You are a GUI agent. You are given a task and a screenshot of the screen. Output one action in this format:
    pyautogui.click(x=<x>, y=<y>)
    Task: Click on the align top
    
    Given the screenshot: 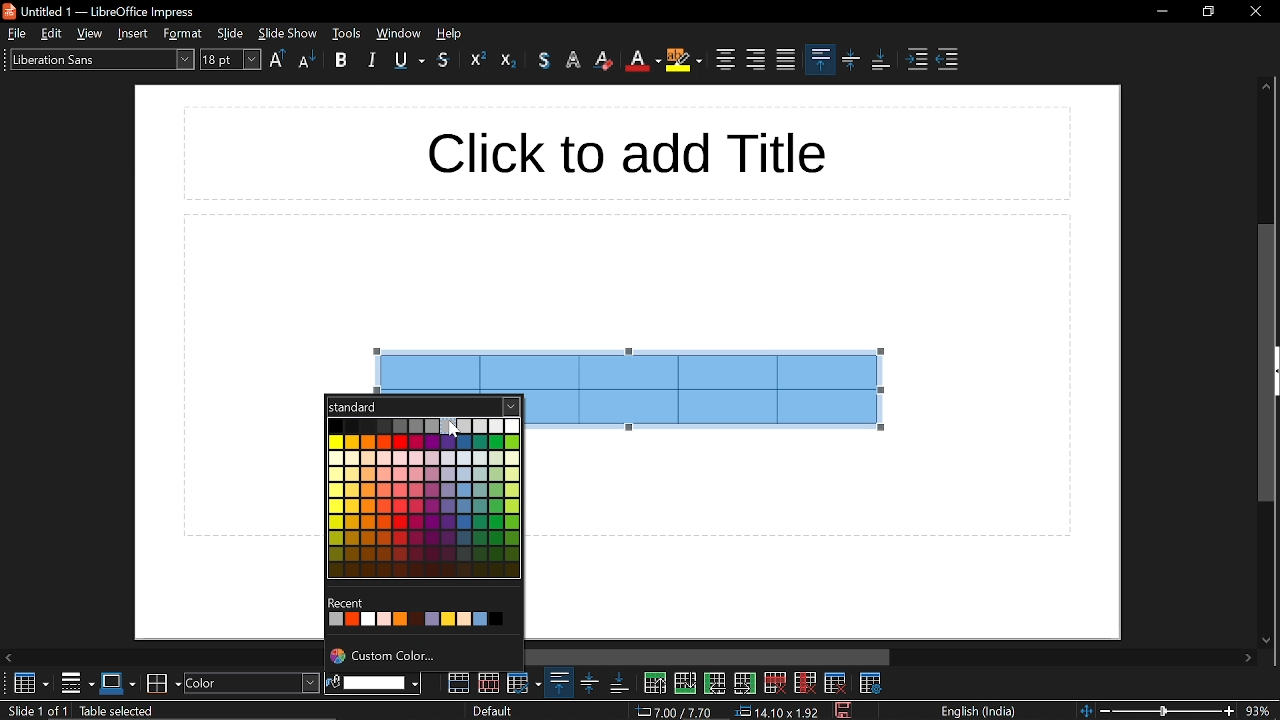 What is the action you would take?
    pyautogui.click(x=558, y=683)
    